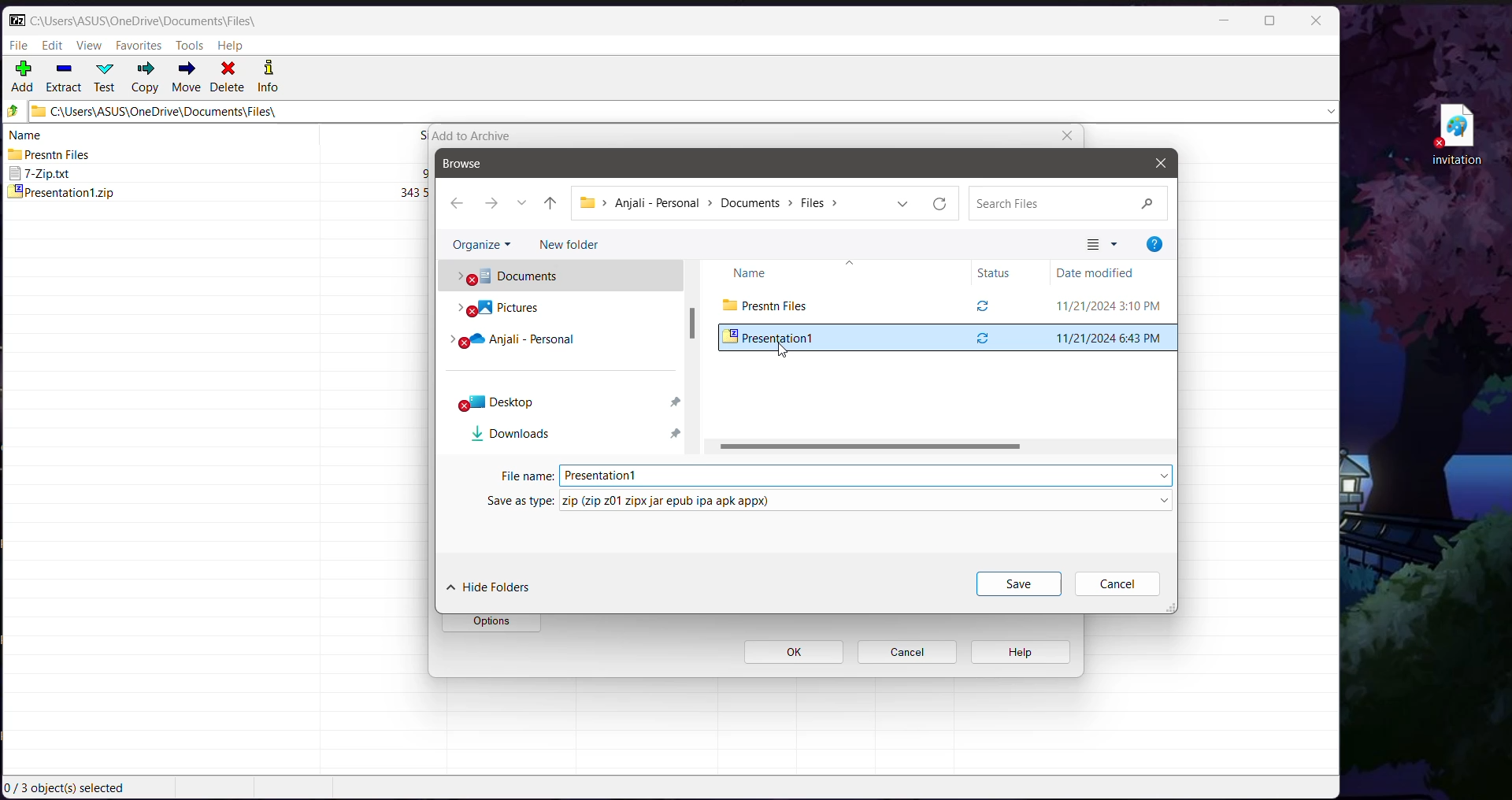  Describe the element at coordinates (70, 788) in the screenshot. I see `Current Selection` at that location.